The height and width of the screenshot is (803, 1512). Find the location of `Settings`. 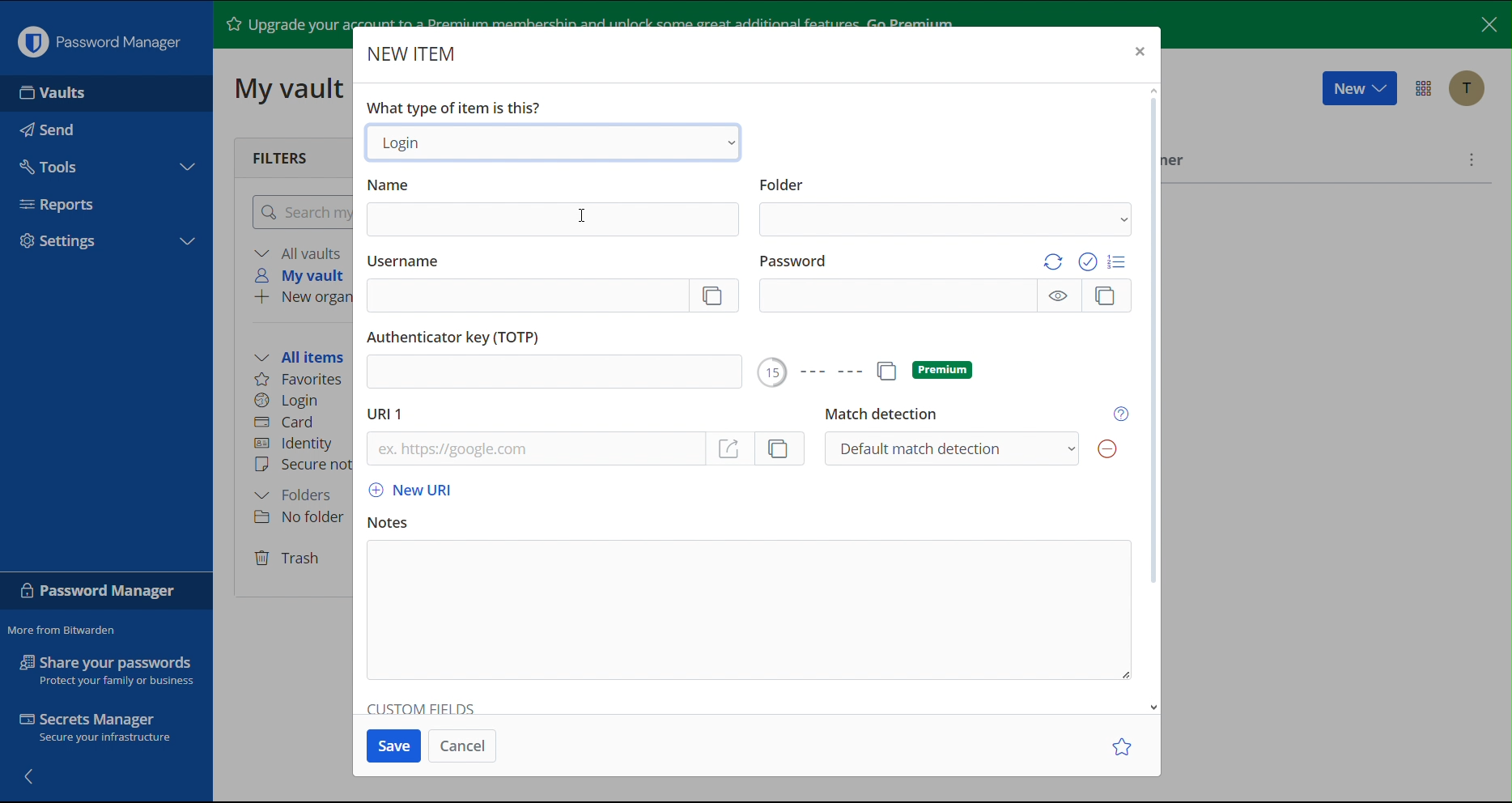

Settings is located at coordinates (101, 242).